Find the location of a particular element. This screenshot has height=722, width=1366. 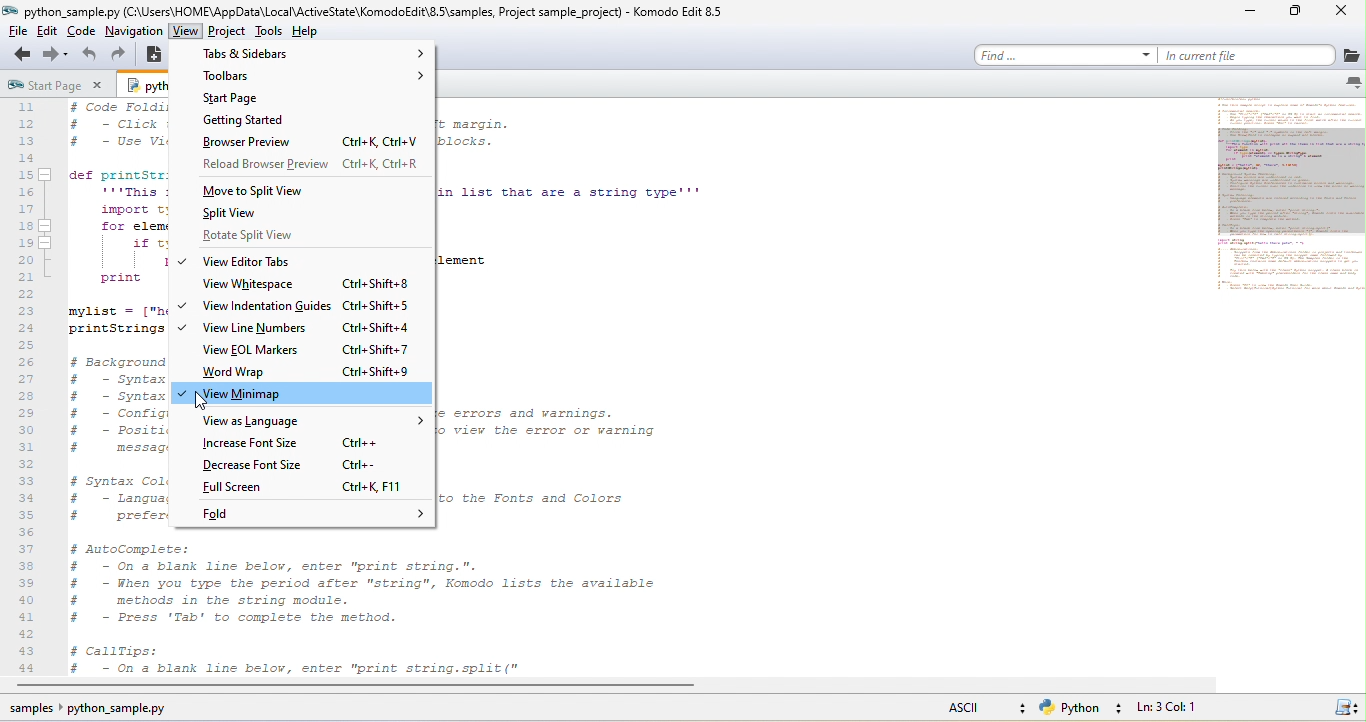

view minimap is located at coordinates (307, 396).